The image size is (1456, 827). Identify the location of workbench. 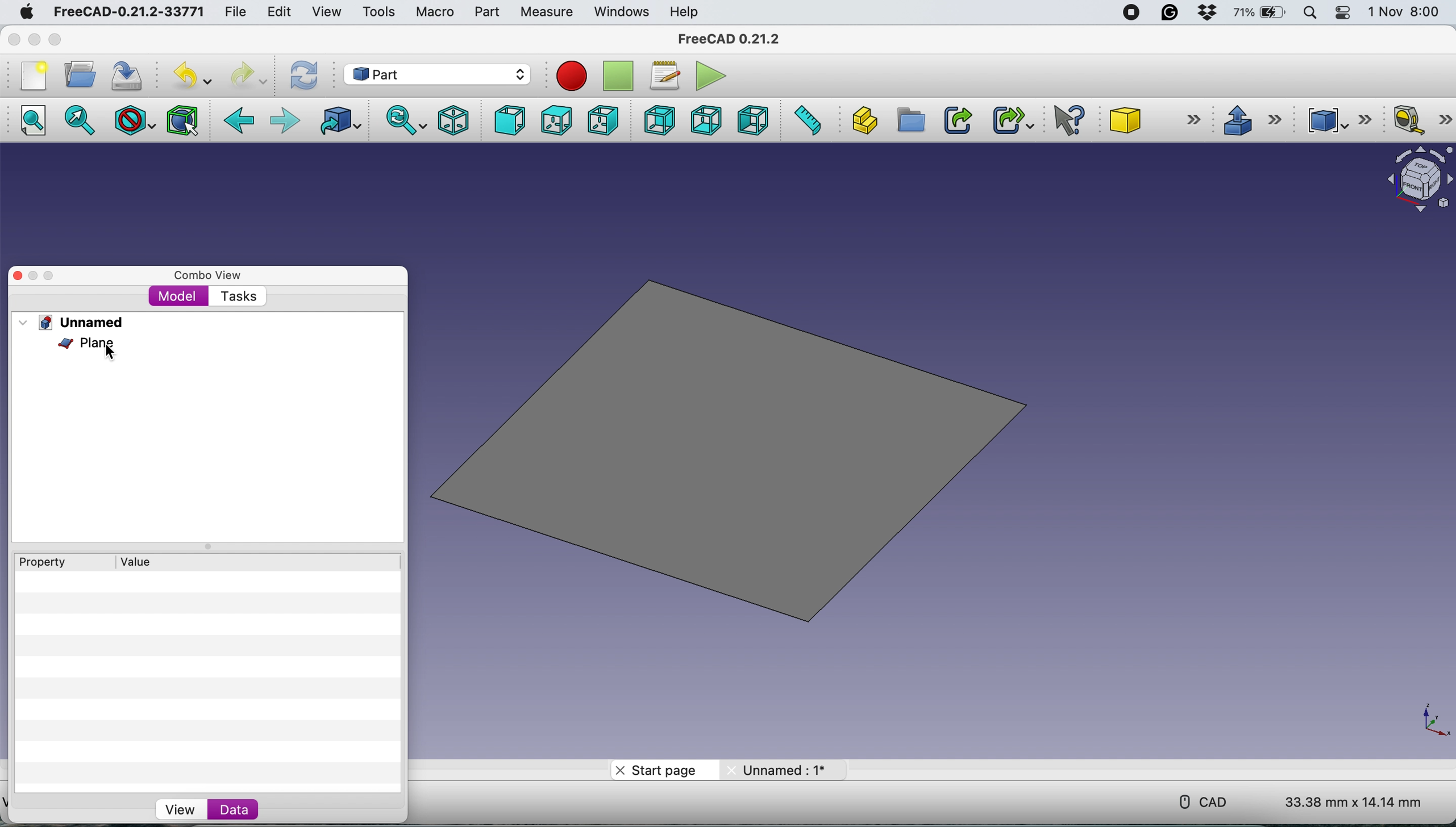
(438, 73).